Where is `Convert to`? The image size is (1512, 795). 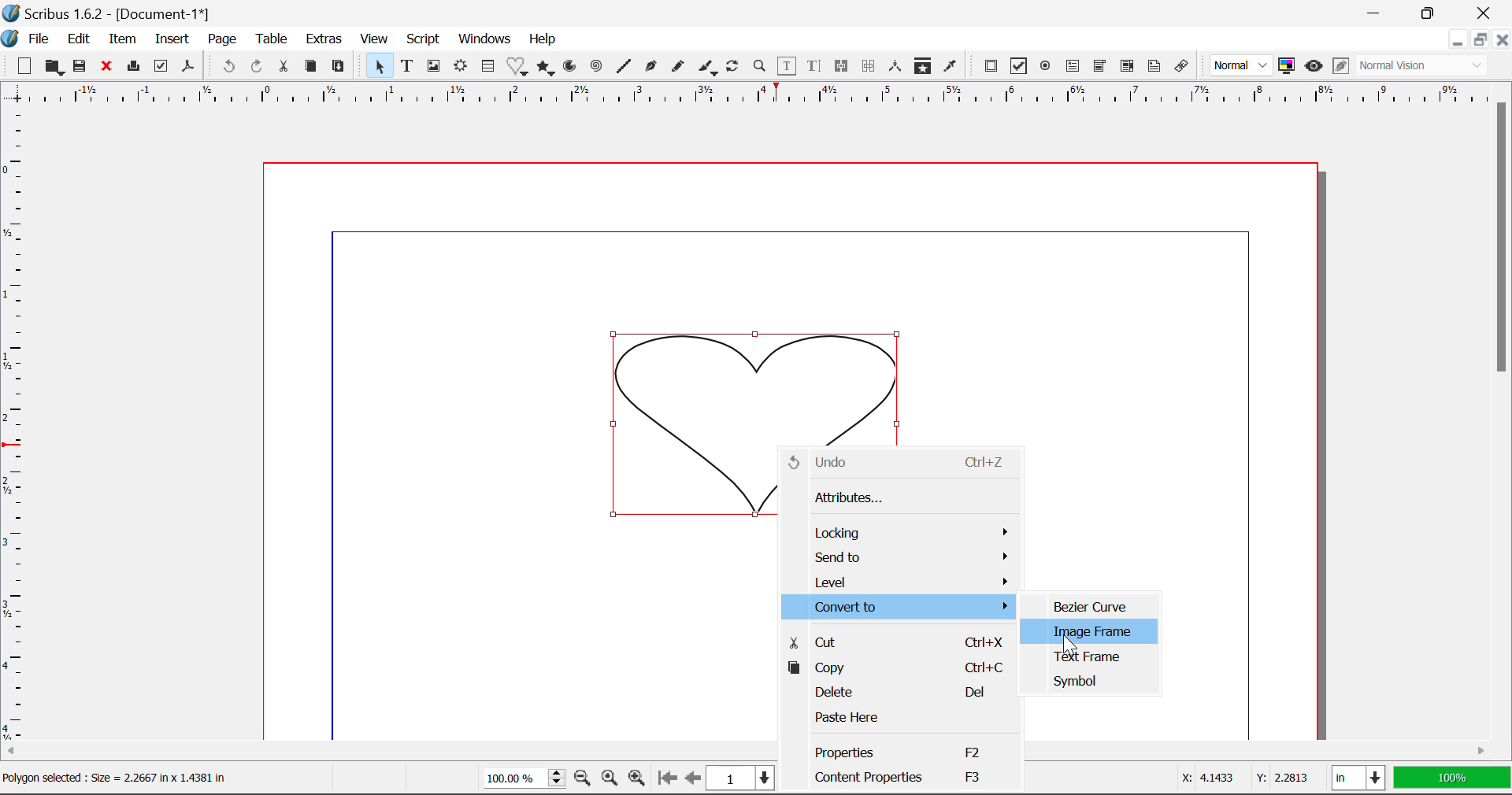 Convert to is located at coordinates (899, 606).